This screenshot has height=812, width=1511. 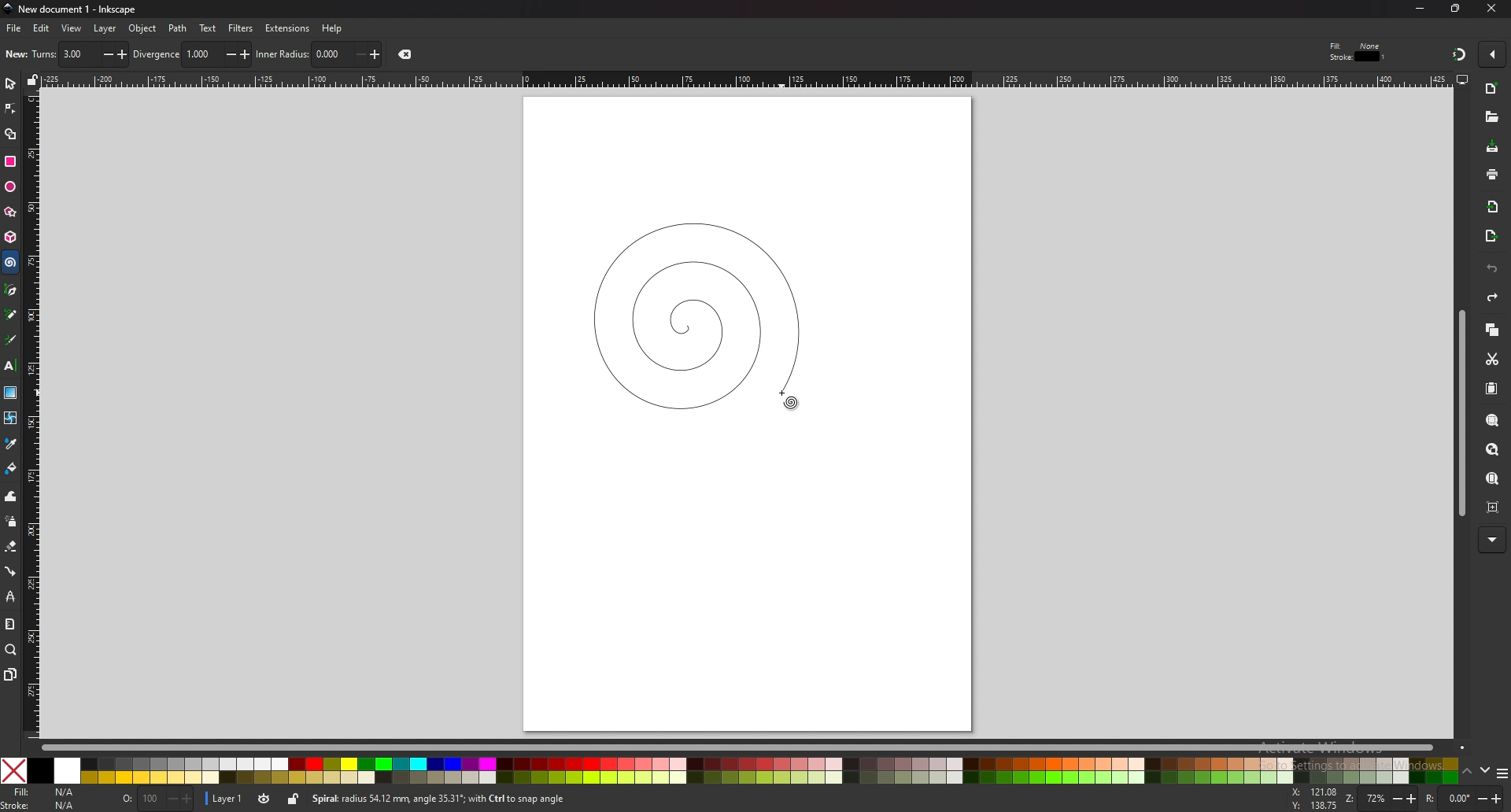 What do you see at coordinates (1492, 207) in the screenshot?
I see `import` at bounding box center [1492, 207].